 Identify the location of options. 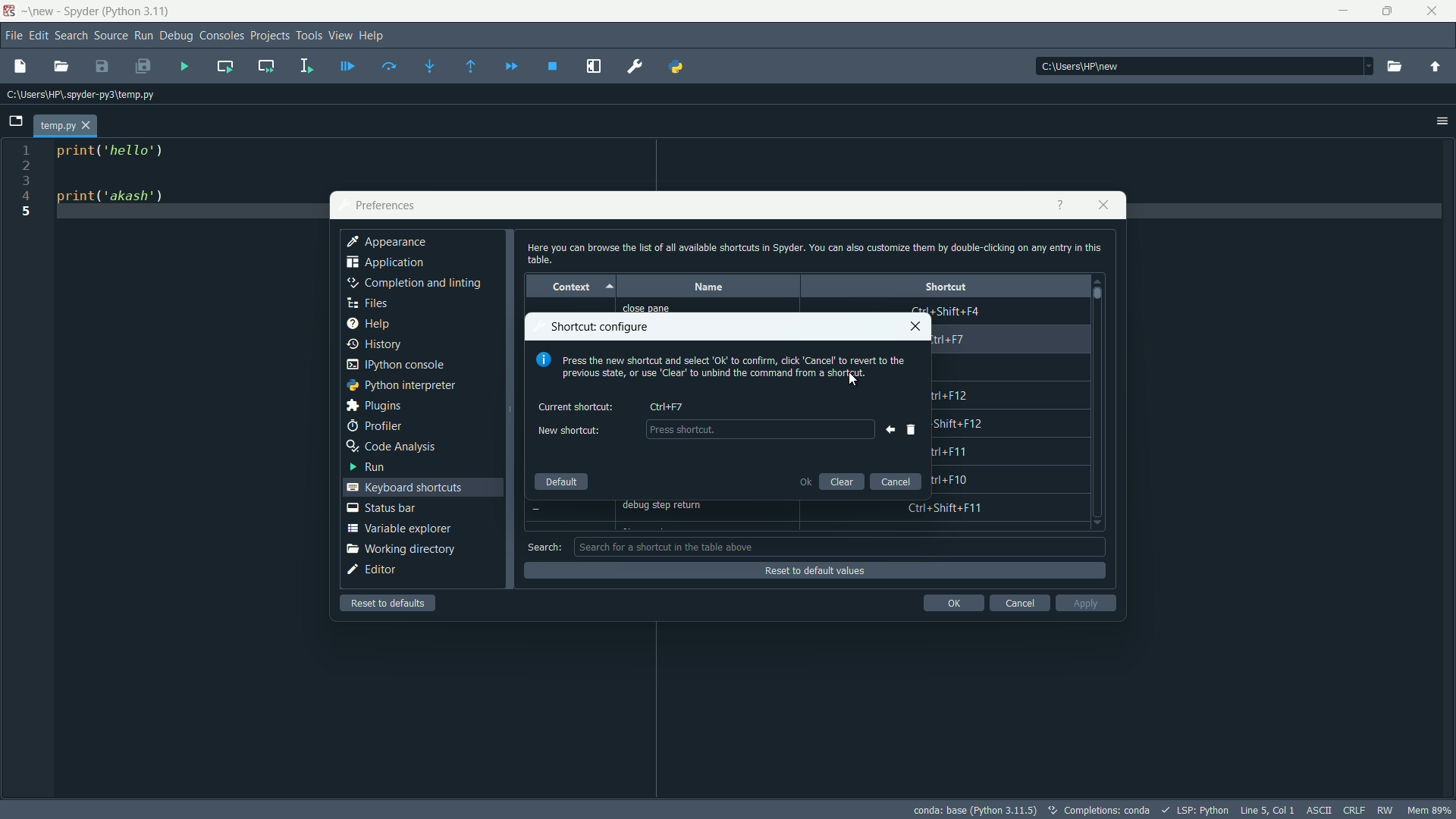
(1442, 121).